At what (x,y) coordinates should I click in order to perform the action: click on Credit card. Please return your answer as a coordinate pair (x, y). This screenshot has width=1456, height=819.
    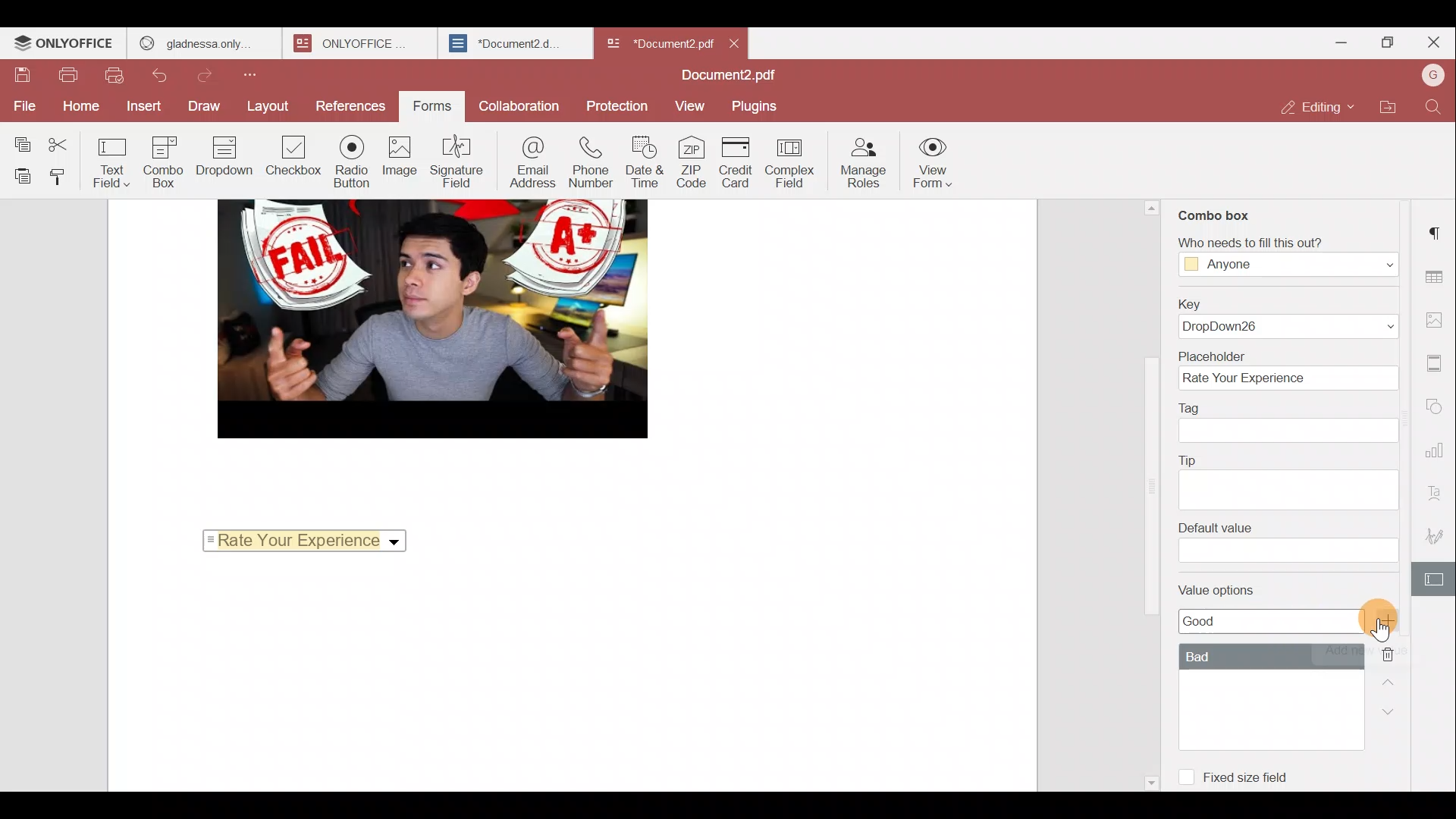
    Looking at the image, I should click on (738, 162).